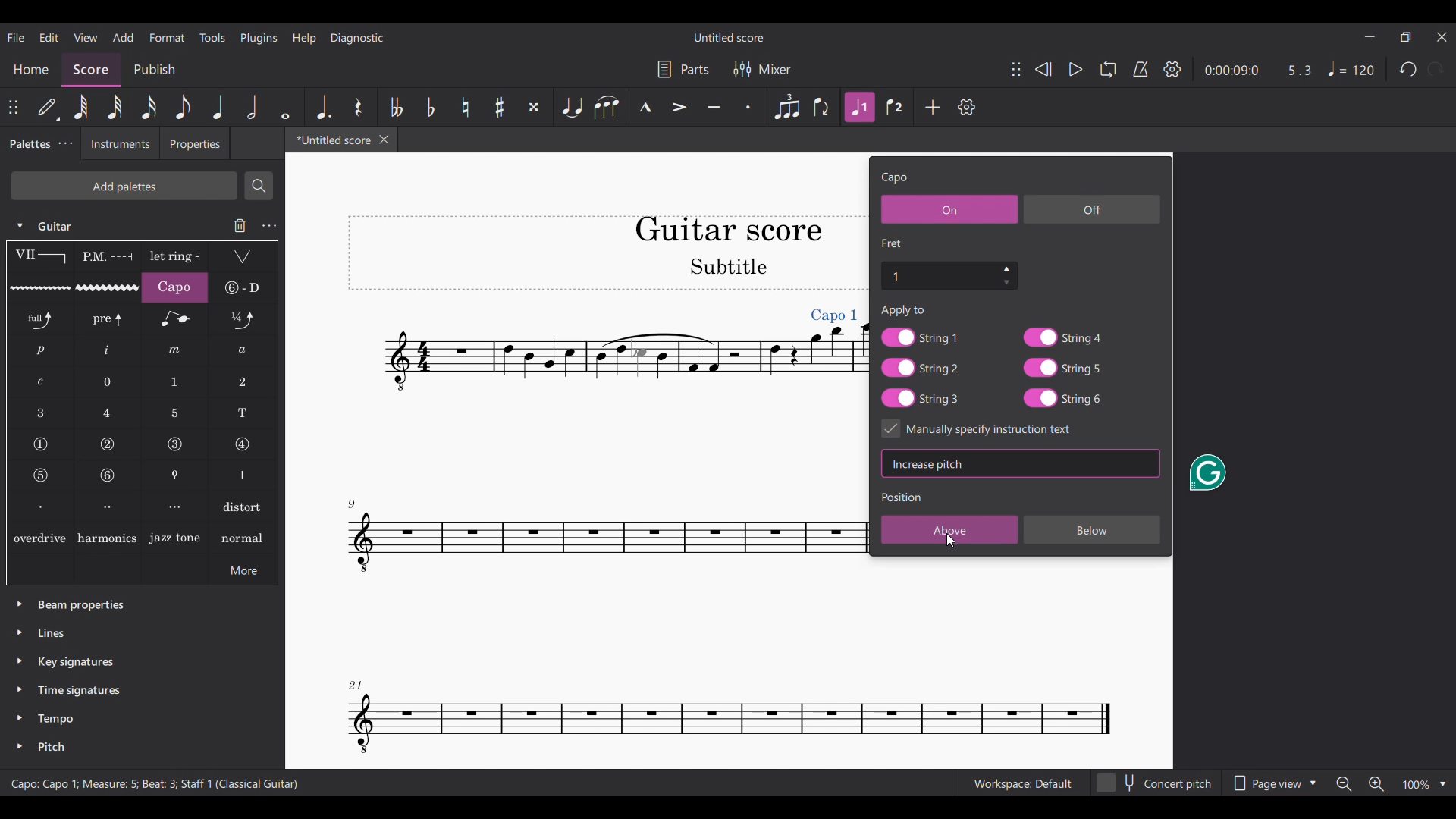  I want to click on String tunings, so click(243, 287).